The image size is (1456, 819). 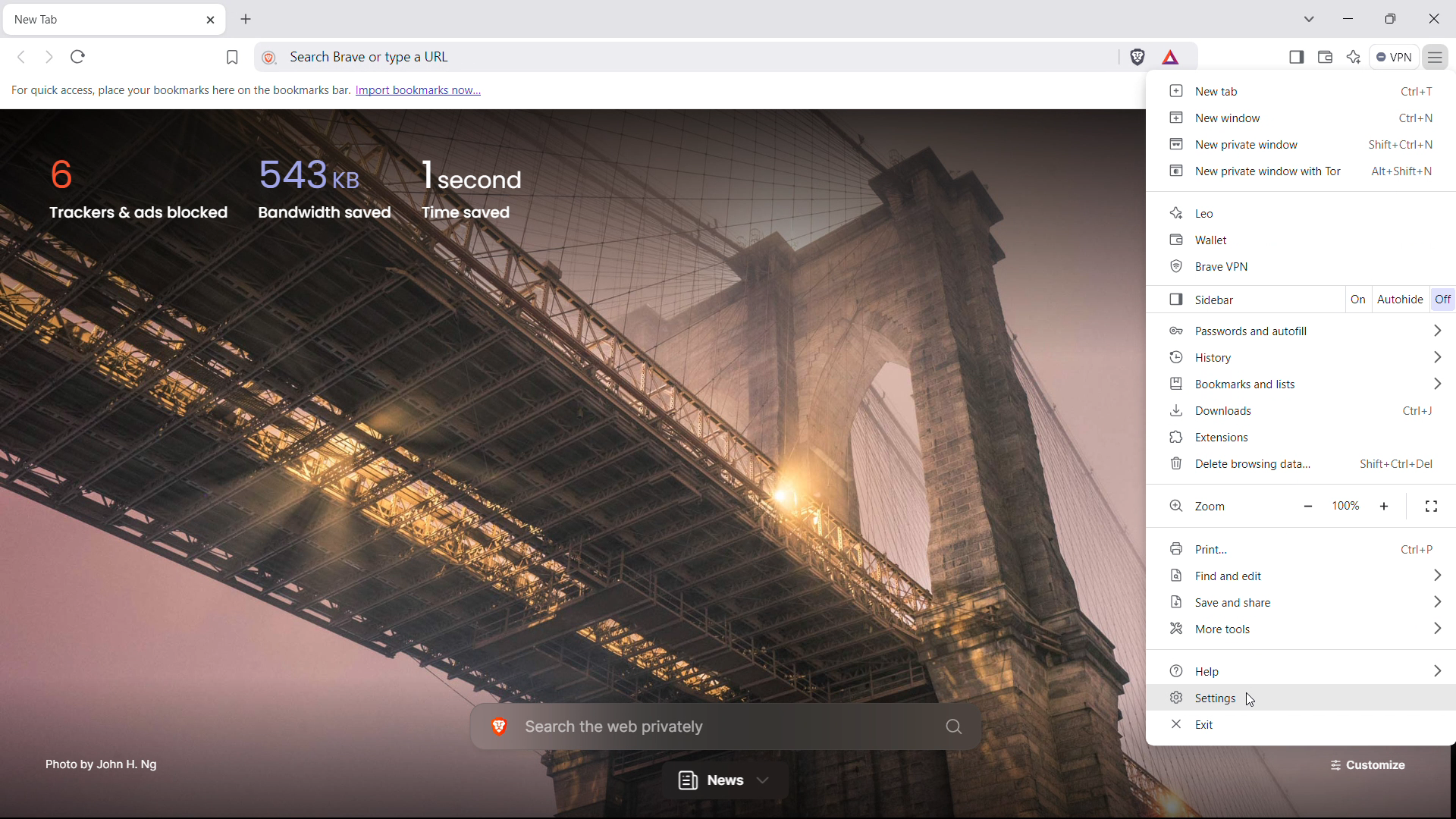 What do you see at coordinates (1300, 331) in the screenshot?
I see `passwords and autofill` at bounding box center [1300, 331].